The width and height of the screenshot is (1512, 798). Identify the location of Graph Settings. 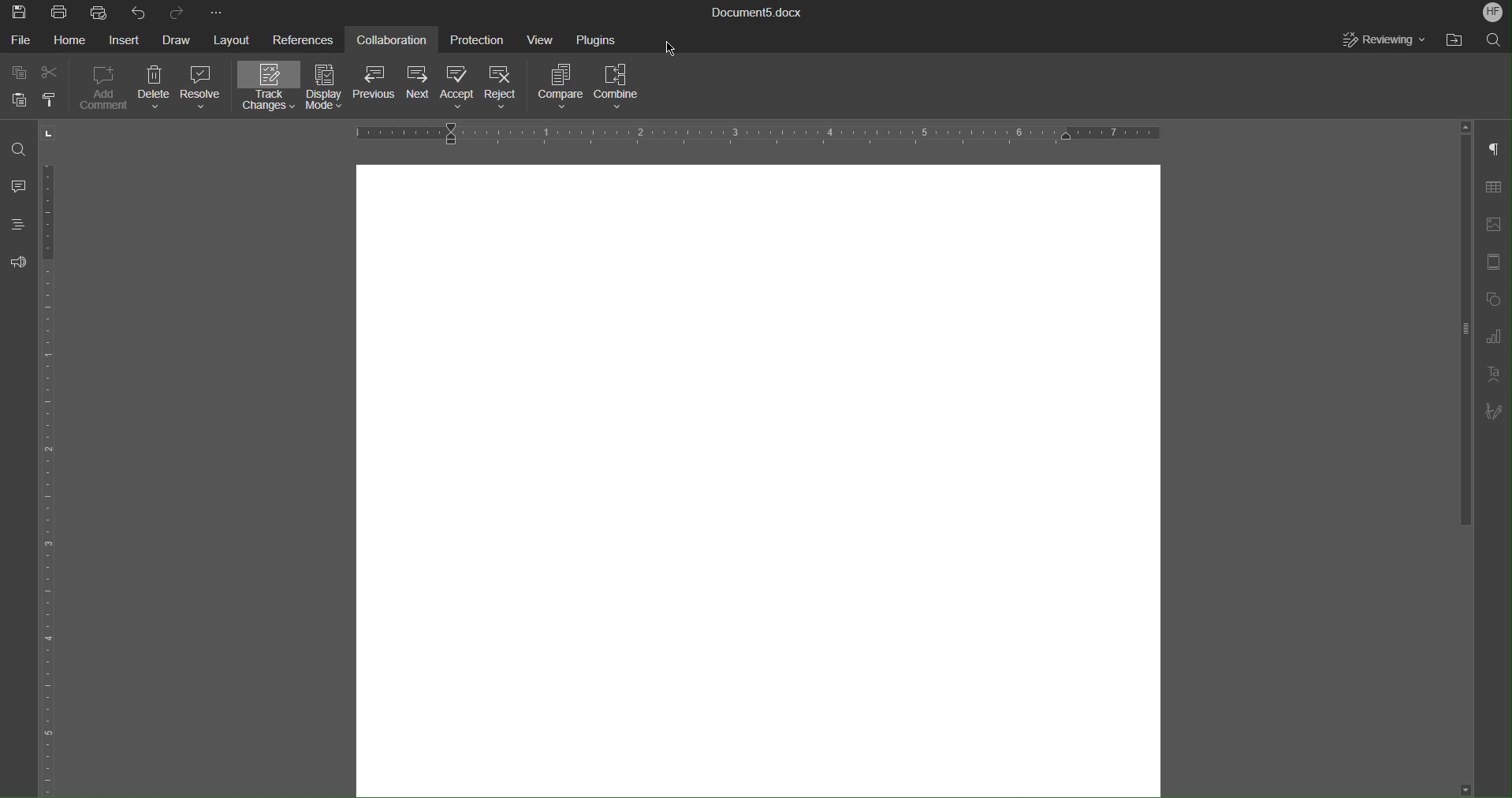
(1488, 339).